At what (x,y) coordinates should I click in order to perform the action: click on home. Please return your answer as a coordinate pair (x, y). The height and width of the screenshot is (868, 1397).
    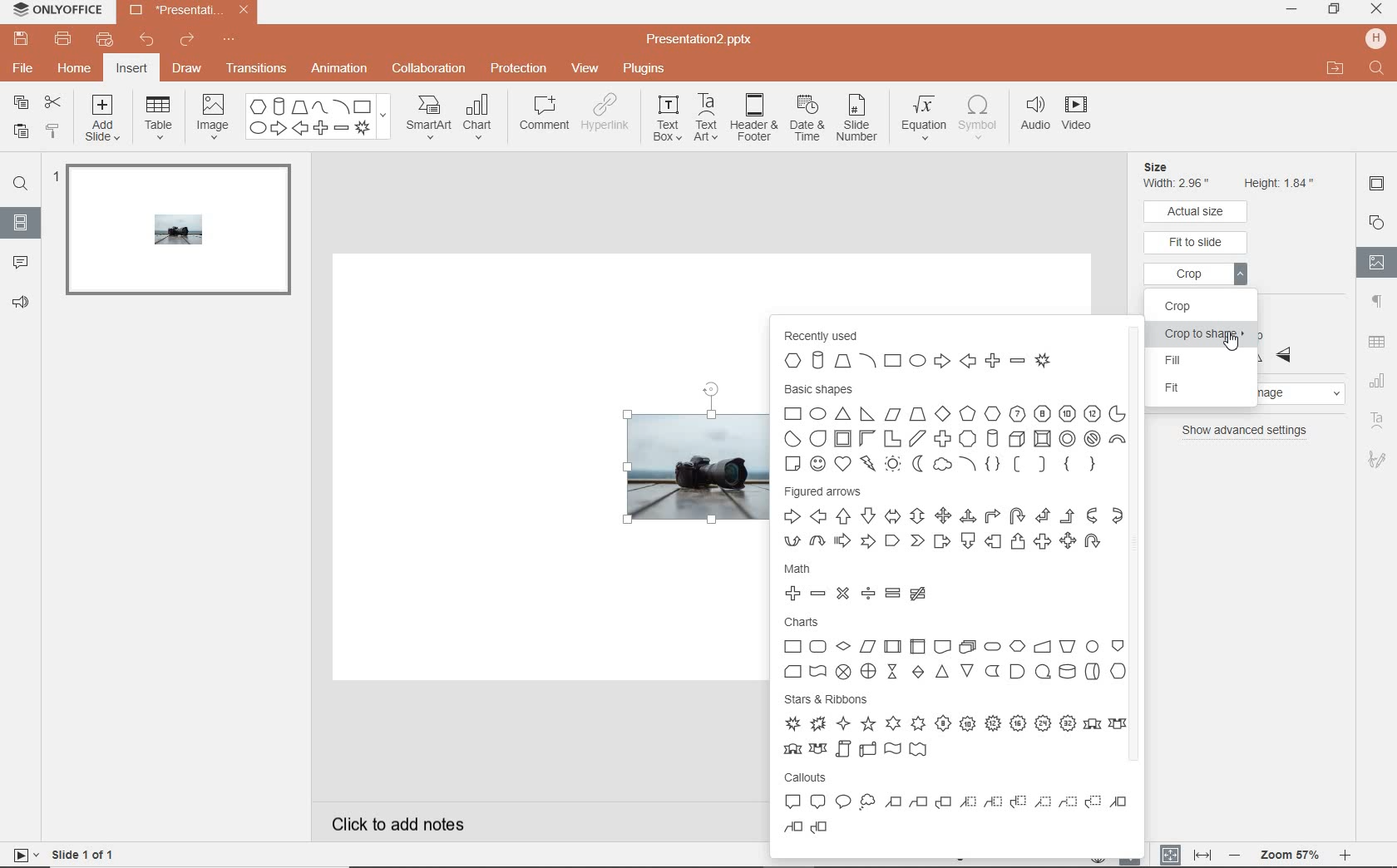
    Looking at the image, I should click on (76, 68).